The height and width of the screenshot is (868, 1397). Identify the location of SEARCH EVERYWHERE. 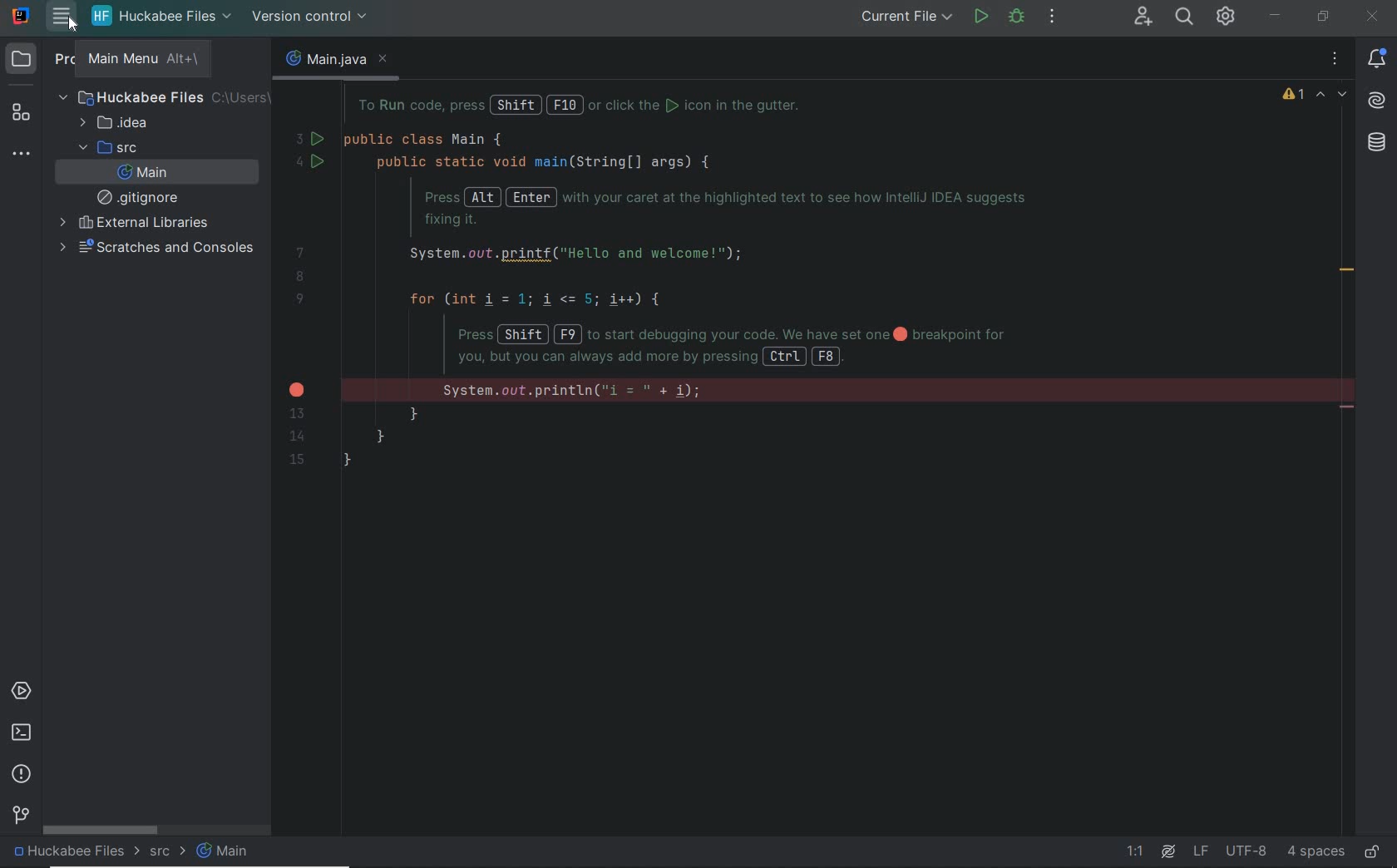
(1185, 18).